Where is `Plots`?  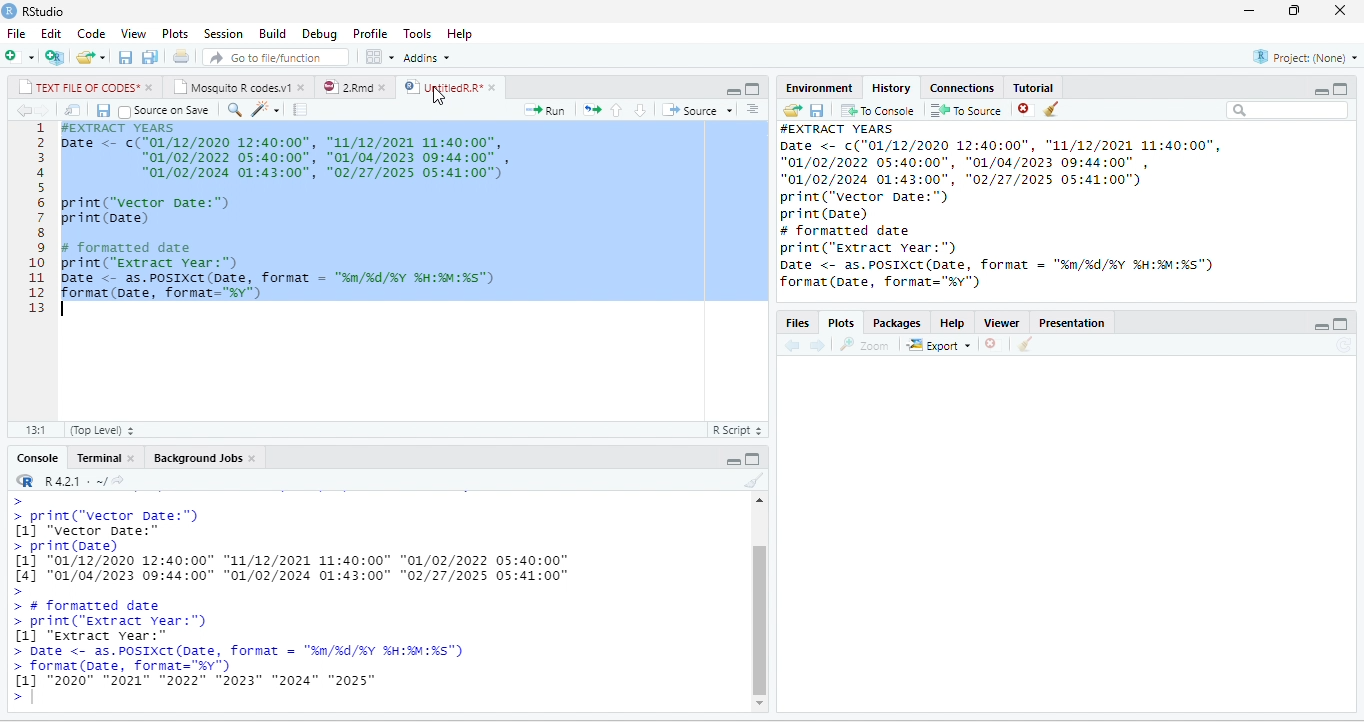
Plots is located at coordinates (841, 322).